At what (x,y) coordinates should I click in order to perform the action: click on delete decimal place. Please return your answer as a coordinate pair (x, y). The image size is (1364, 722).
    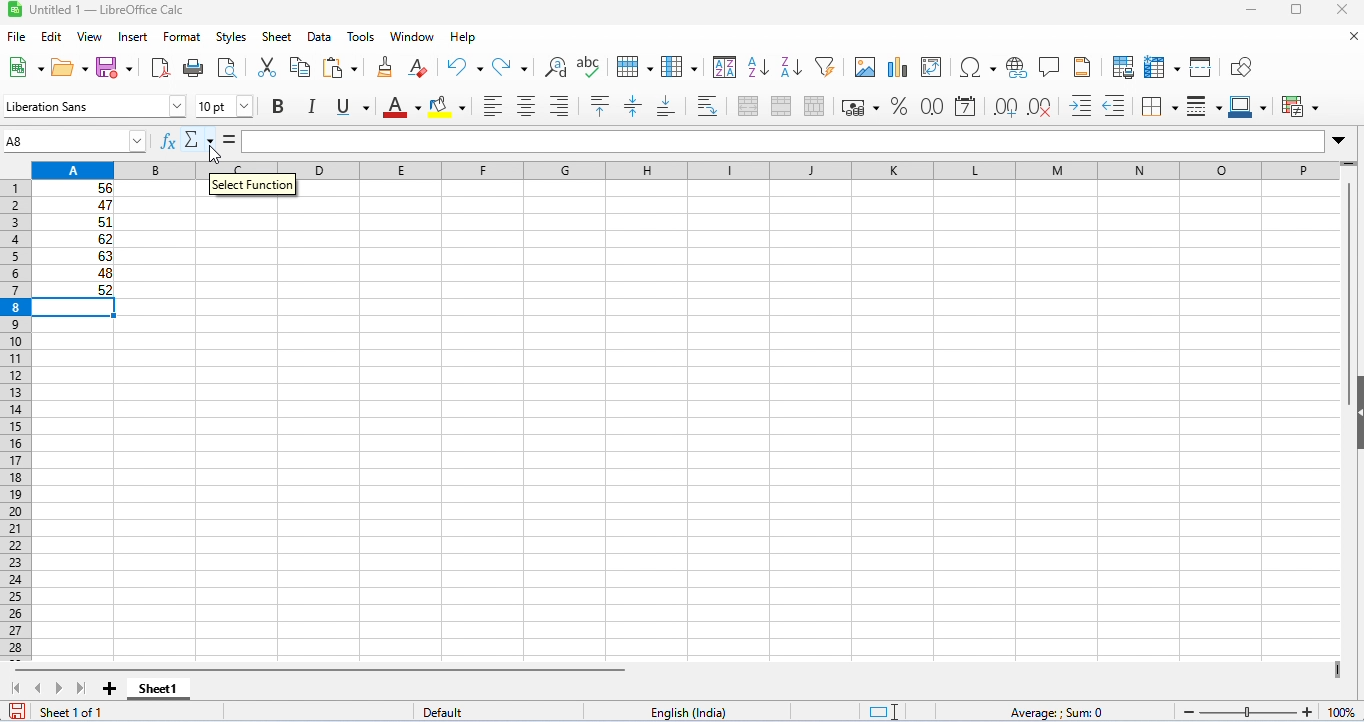
    Looking at the image, I should click on (1039, 107).